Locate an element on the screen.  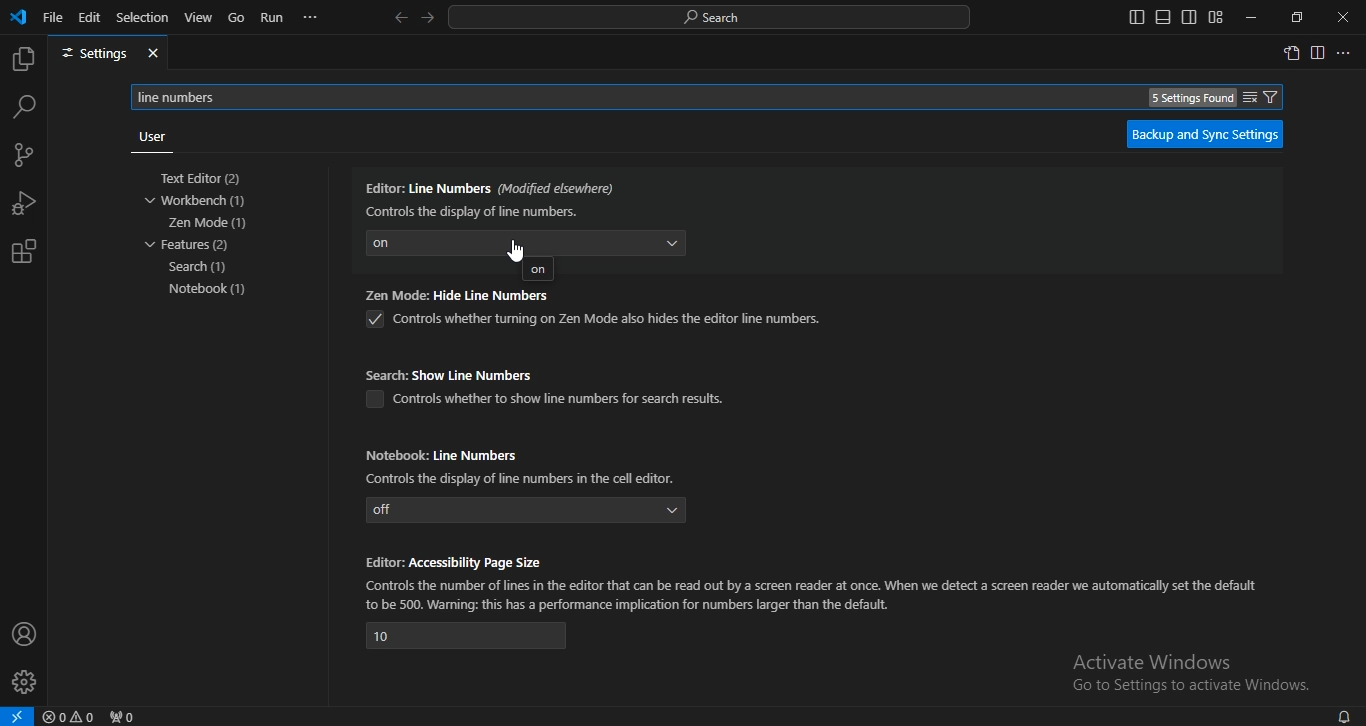
search is located at coordinates (24, 106).